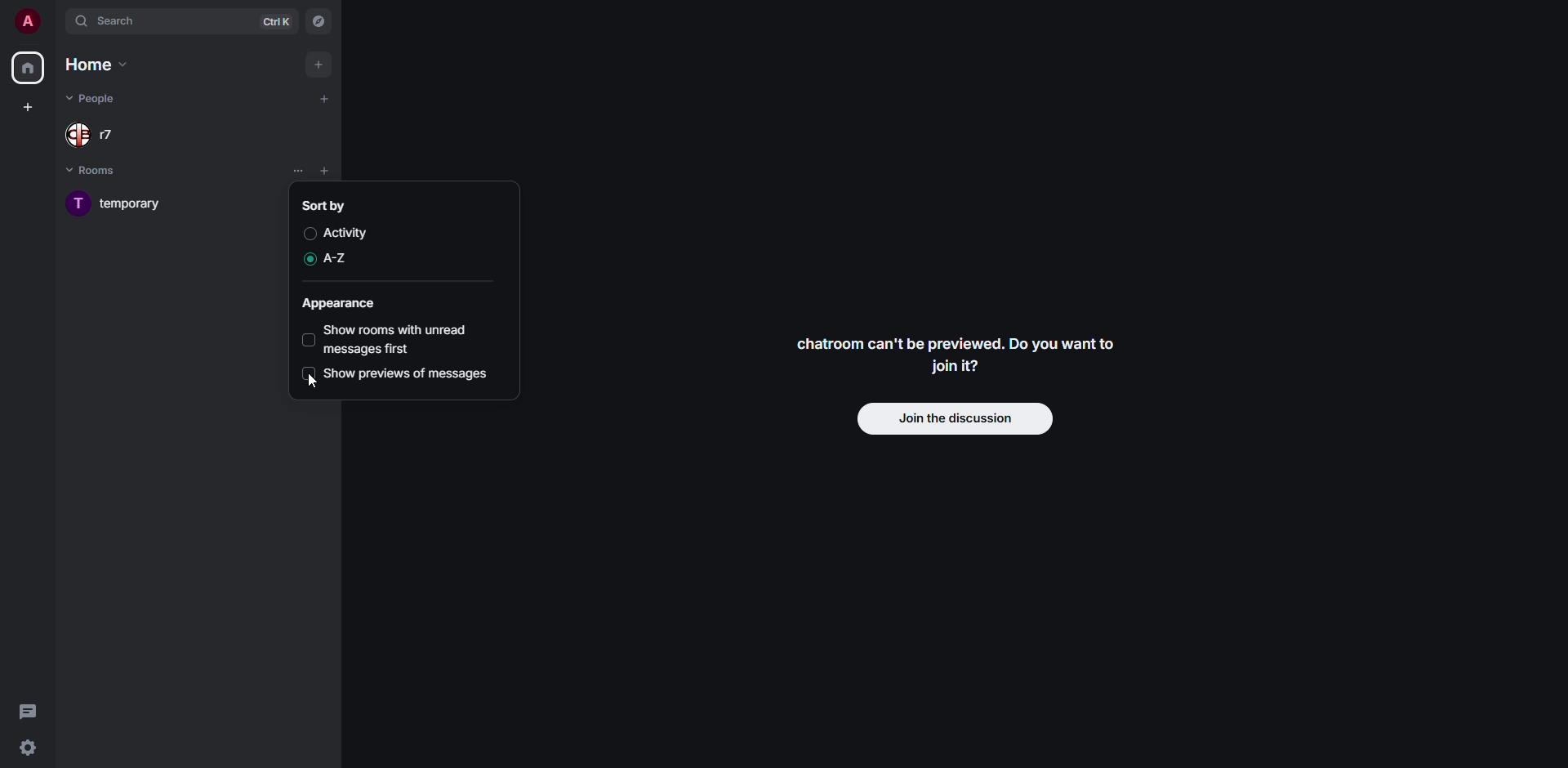 Image resolution: width=1568 pixels, height=768 pixels. Describe the element at coordinates (279, 23) in the screenshot. I see `ctrl K` at that location.